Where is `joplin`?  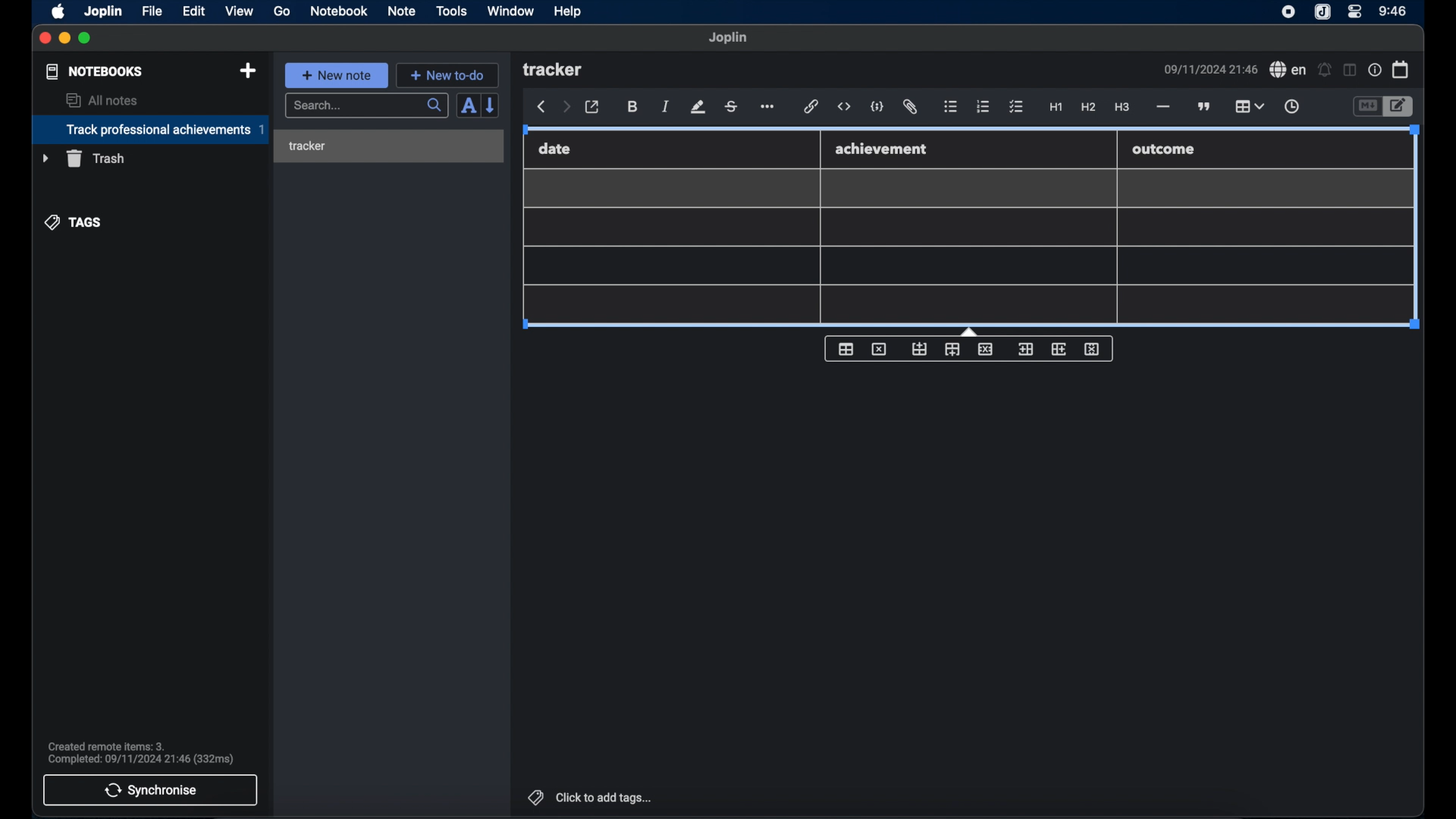
joplin is located at coordinates (729, 38).